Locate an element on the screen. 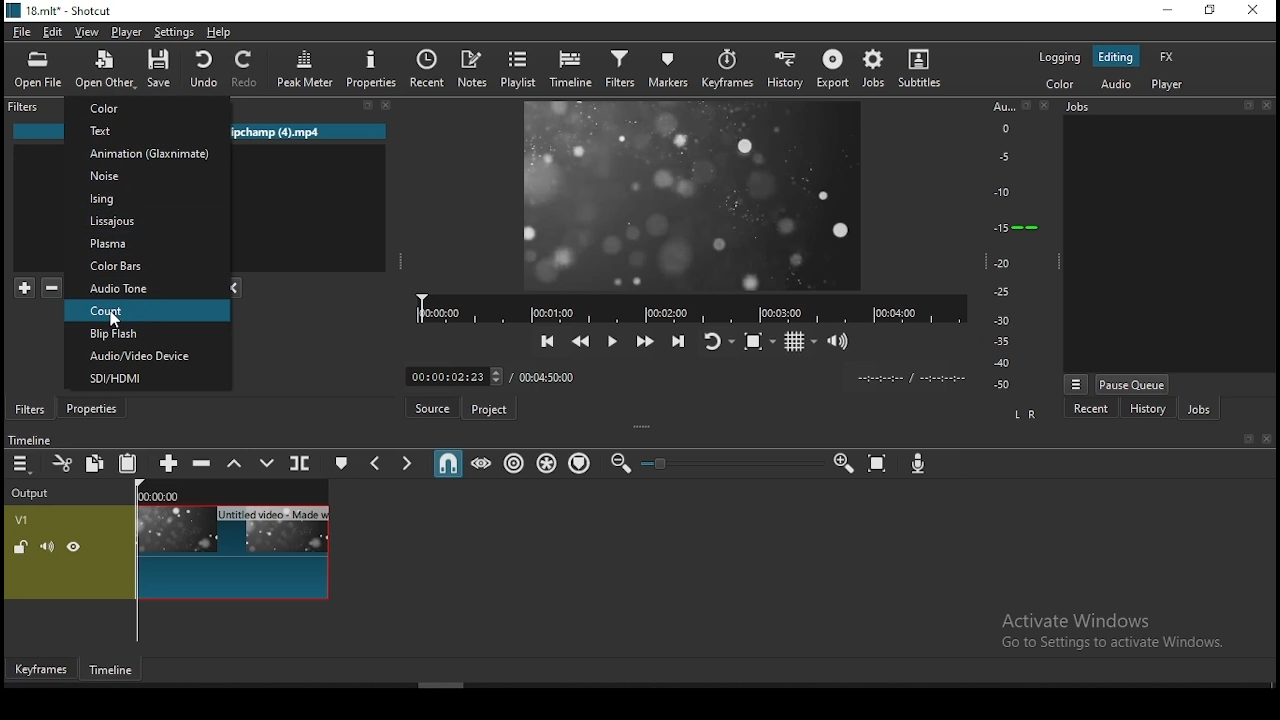 This screenshot has height=720, width=1280. next marker is located at coordinates (408, 464).